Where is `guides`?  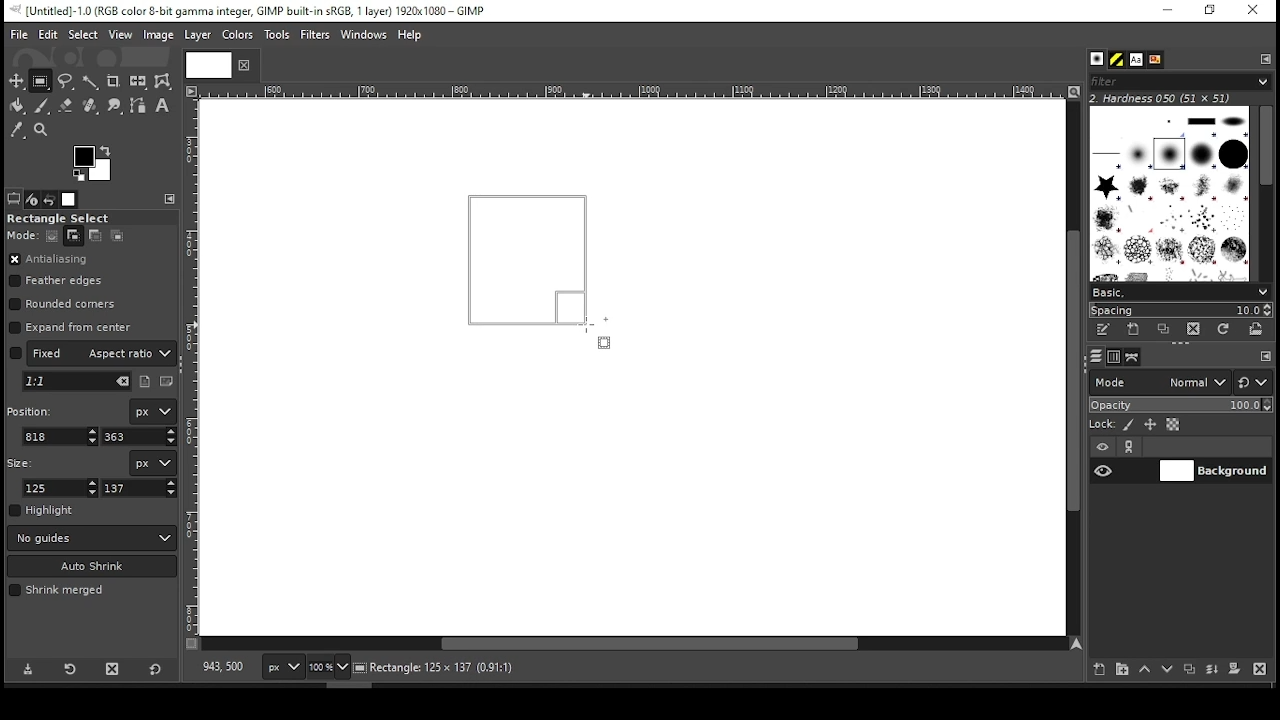 guides is located at coordinates (92, 538).